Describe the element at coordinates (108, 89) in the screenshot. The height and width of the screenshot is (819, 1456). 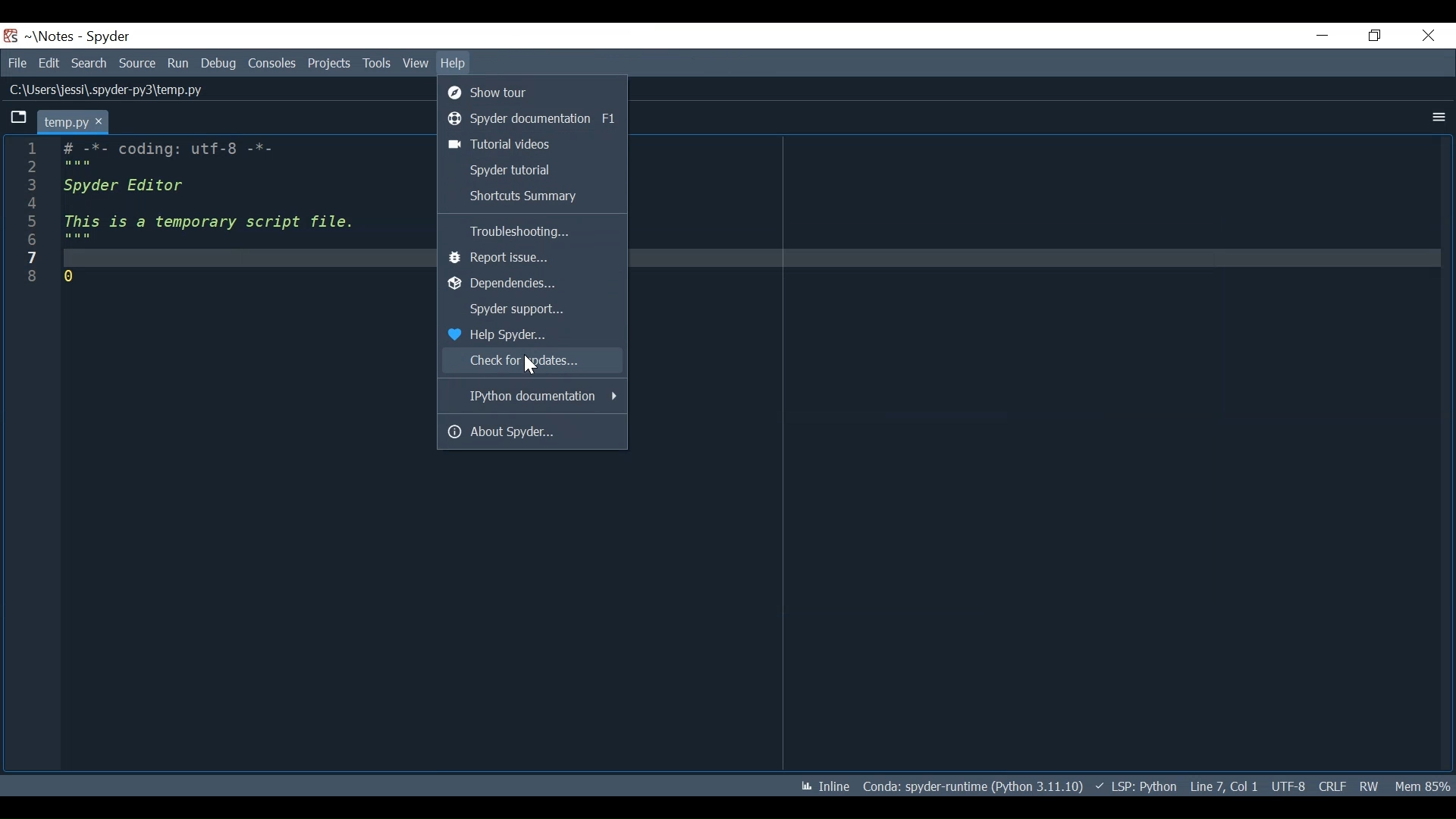
I see `C:\Users\jessi\.spyder-py3\temp.py` at that location.